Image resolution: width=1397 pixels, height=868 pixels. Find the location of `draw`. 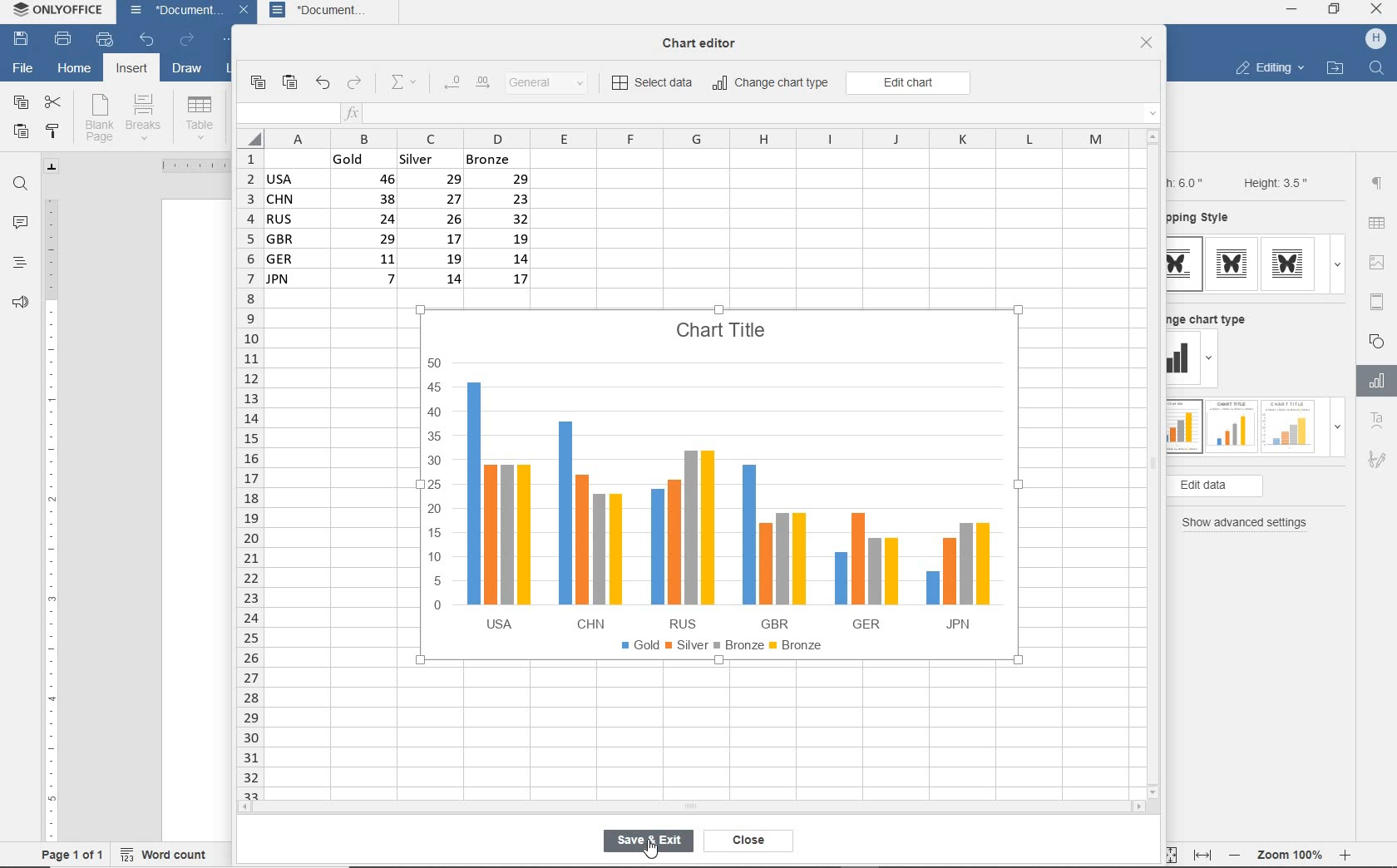

draw is located at coordinates (188, 71).